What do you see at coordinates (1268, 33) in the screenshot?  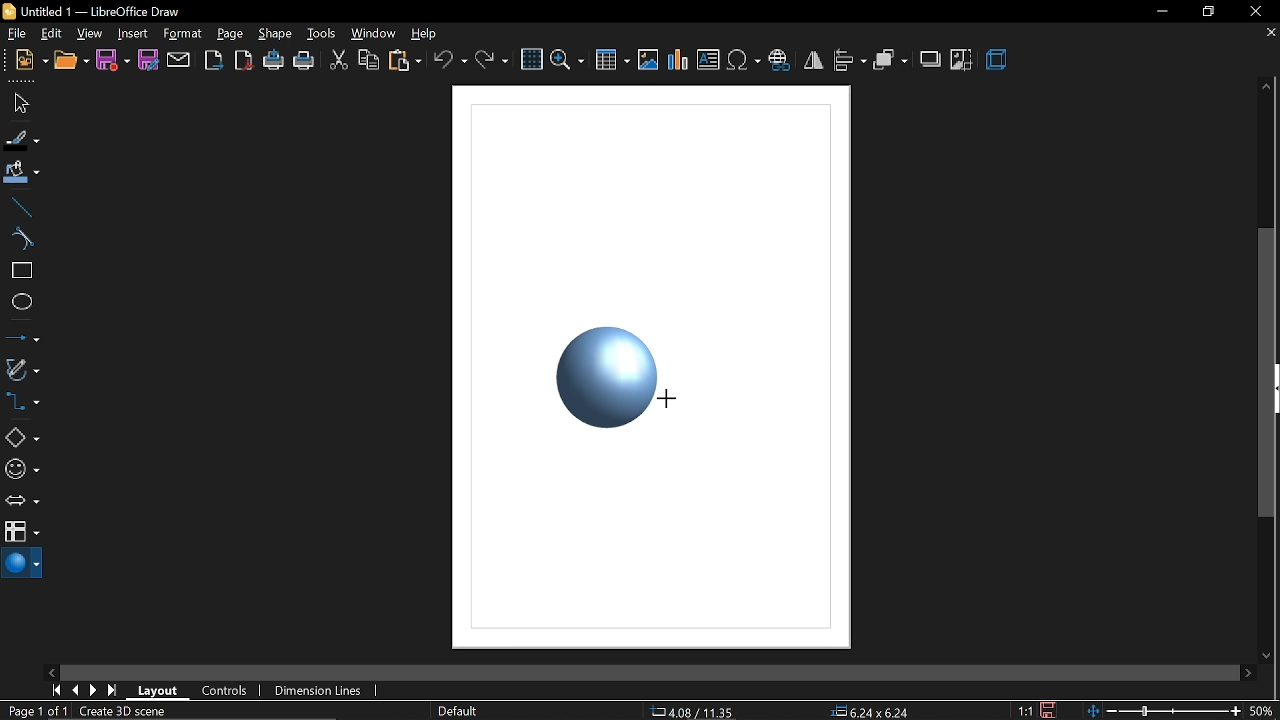 I see `close tab` at bounding box center [1268, 33].